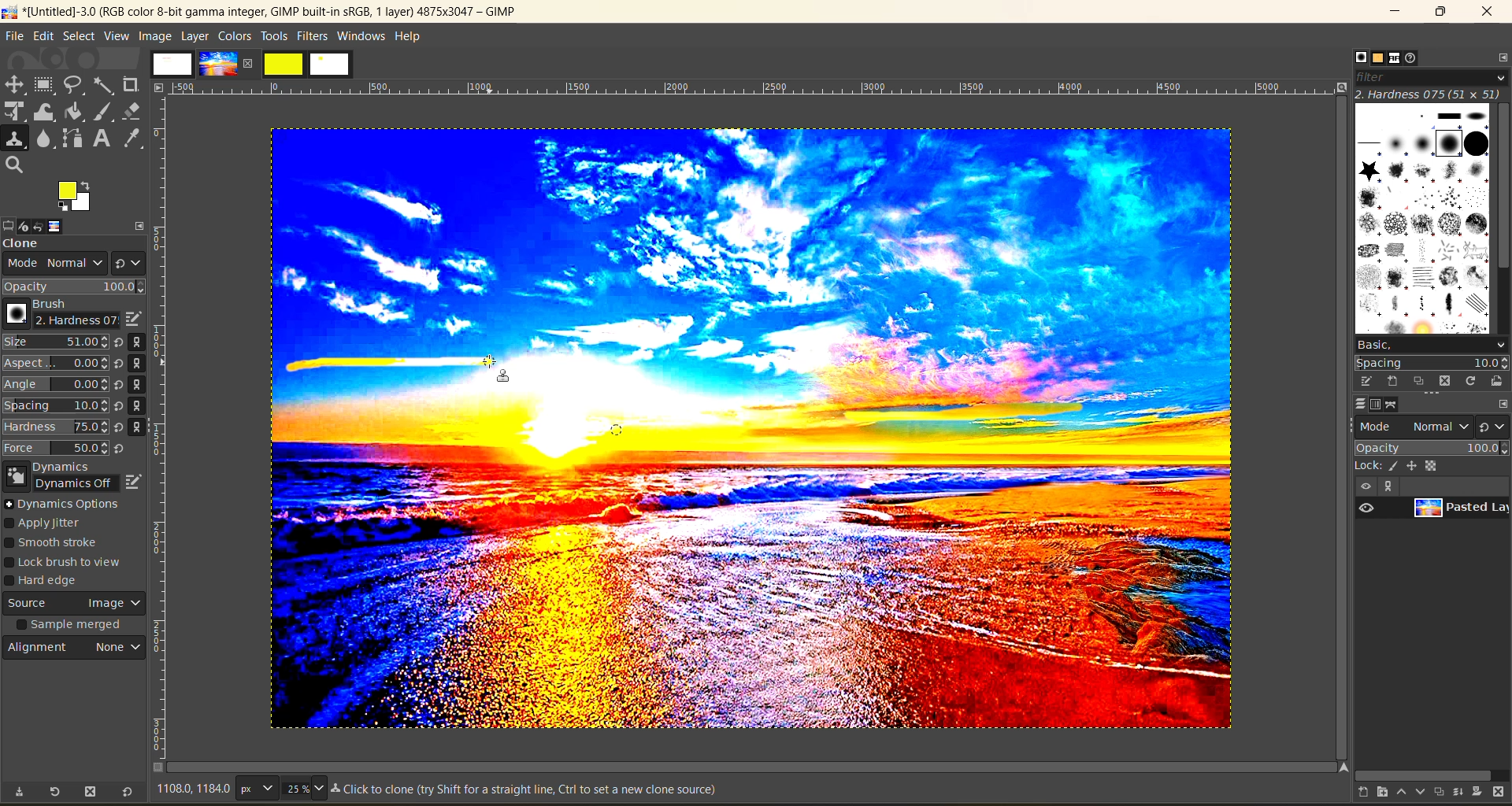 The height and width of the screenshot is (806, 1512). Describe the element at coordinates (1397, 59) in the screenshot. I see `fonts` at that location.